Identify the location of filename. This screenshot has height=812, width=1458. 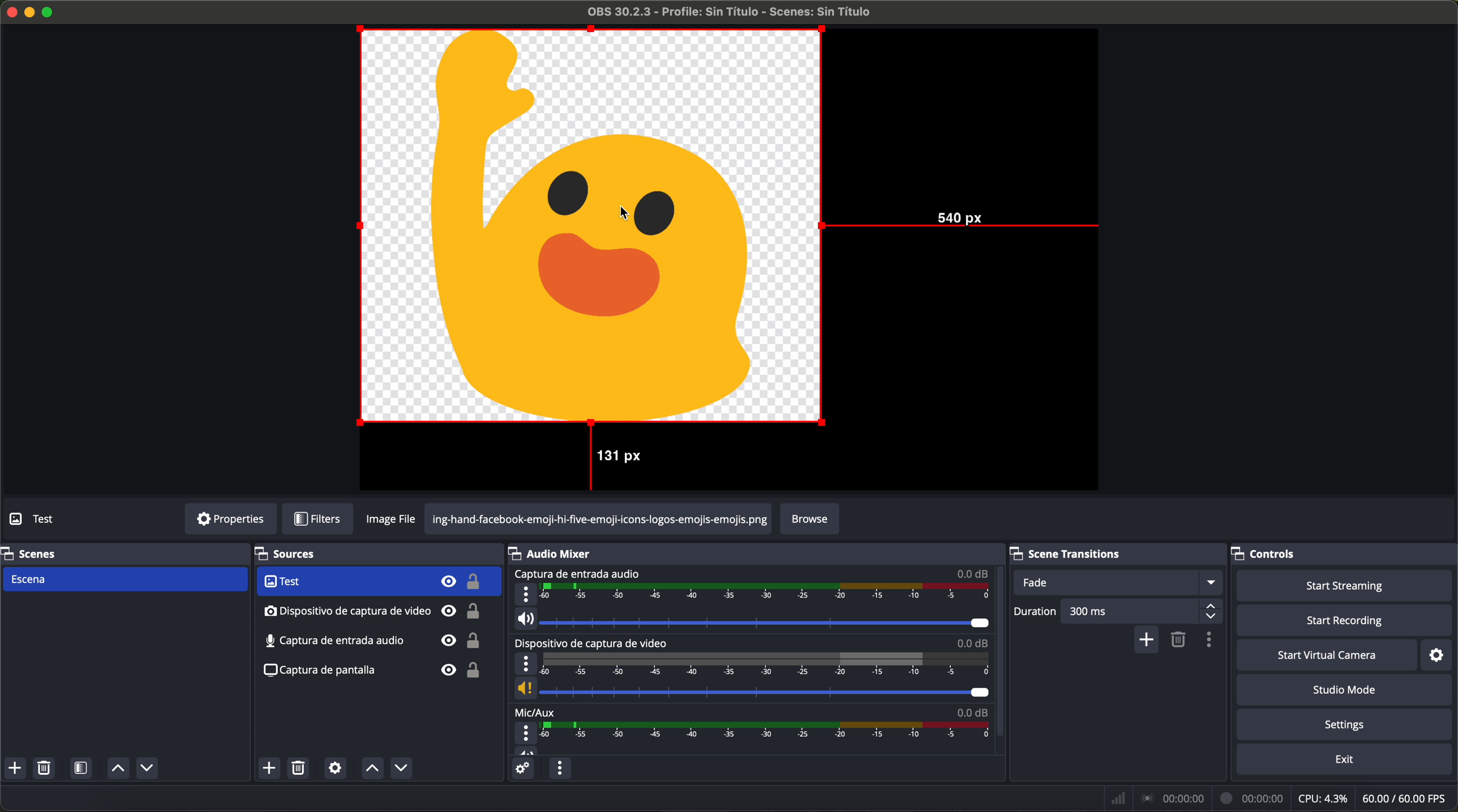
(731, 12).